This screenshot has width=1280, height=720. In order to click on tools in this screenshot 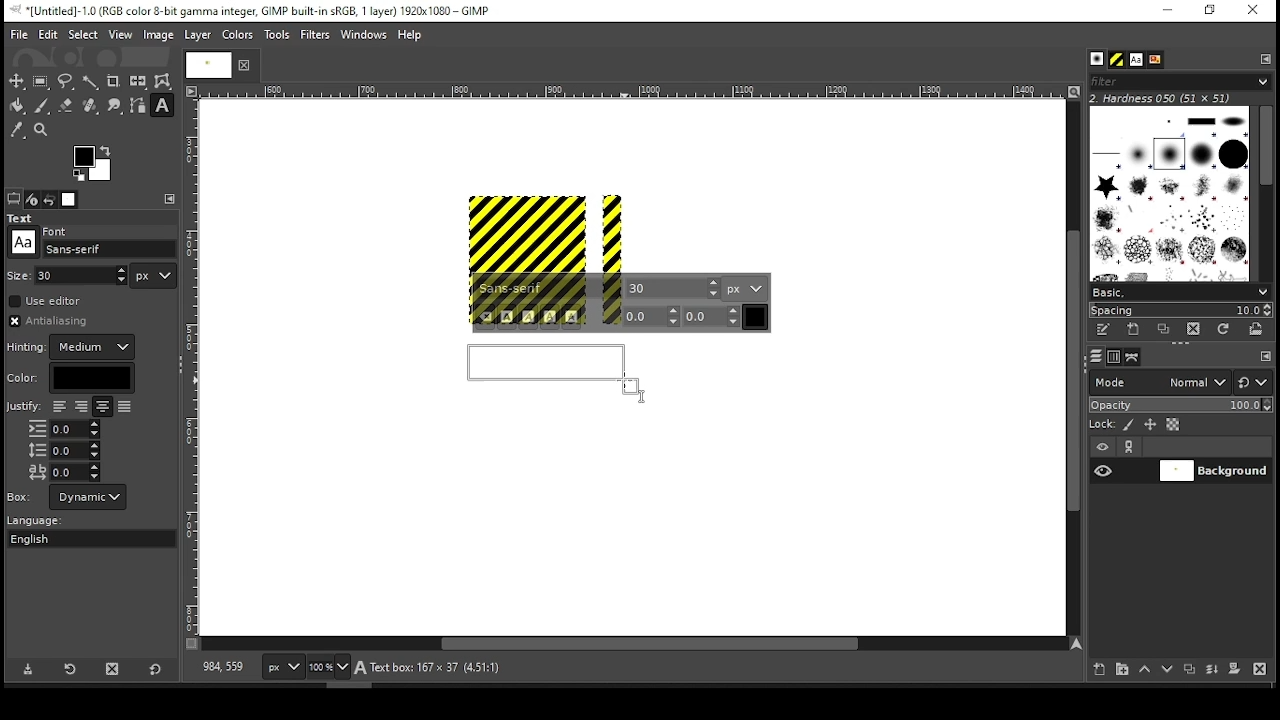, I will do `click(279, 36)`.